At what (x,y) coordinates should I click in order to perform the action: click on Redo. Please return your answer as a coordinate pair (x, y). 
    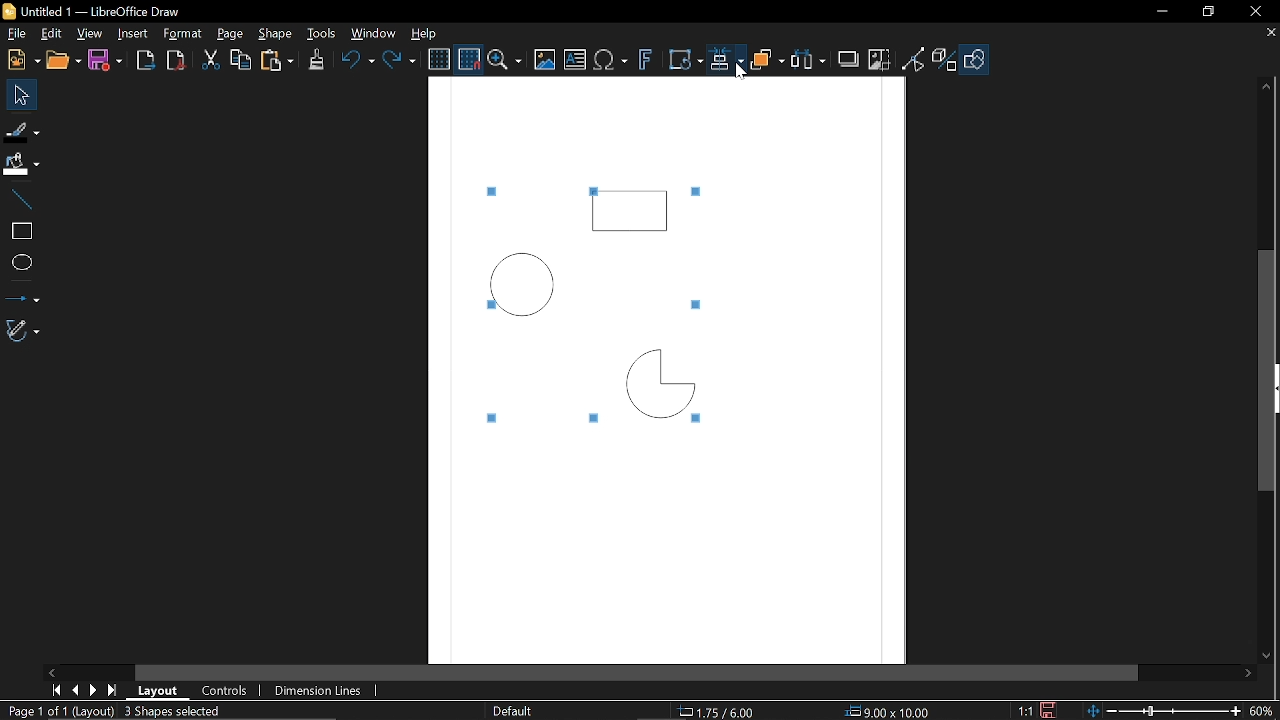
    Looking at the image, I should click on (400, 61).